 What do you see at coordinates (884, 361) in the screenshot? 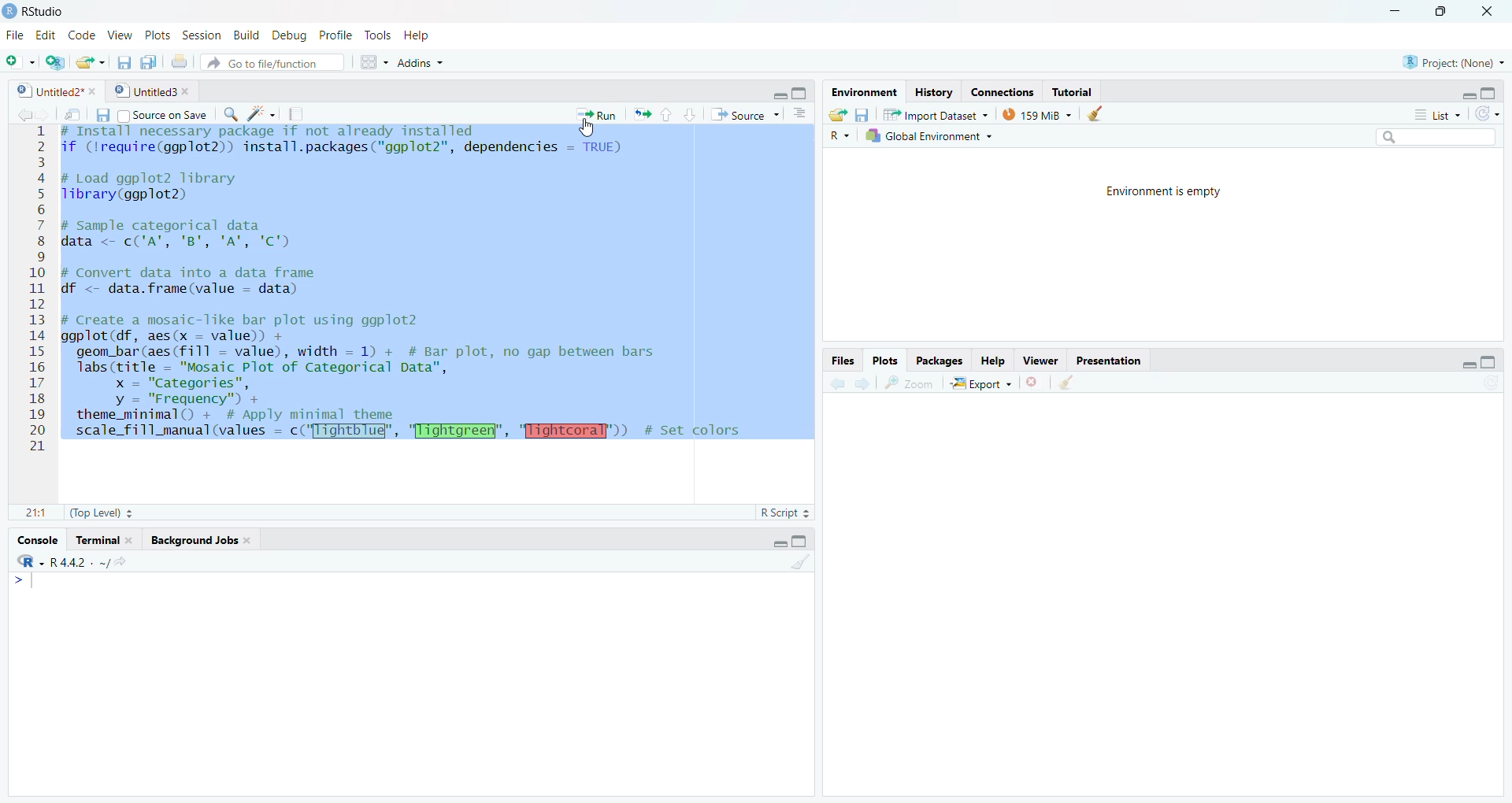
I see `Plots` at bounding box center [884, 361].